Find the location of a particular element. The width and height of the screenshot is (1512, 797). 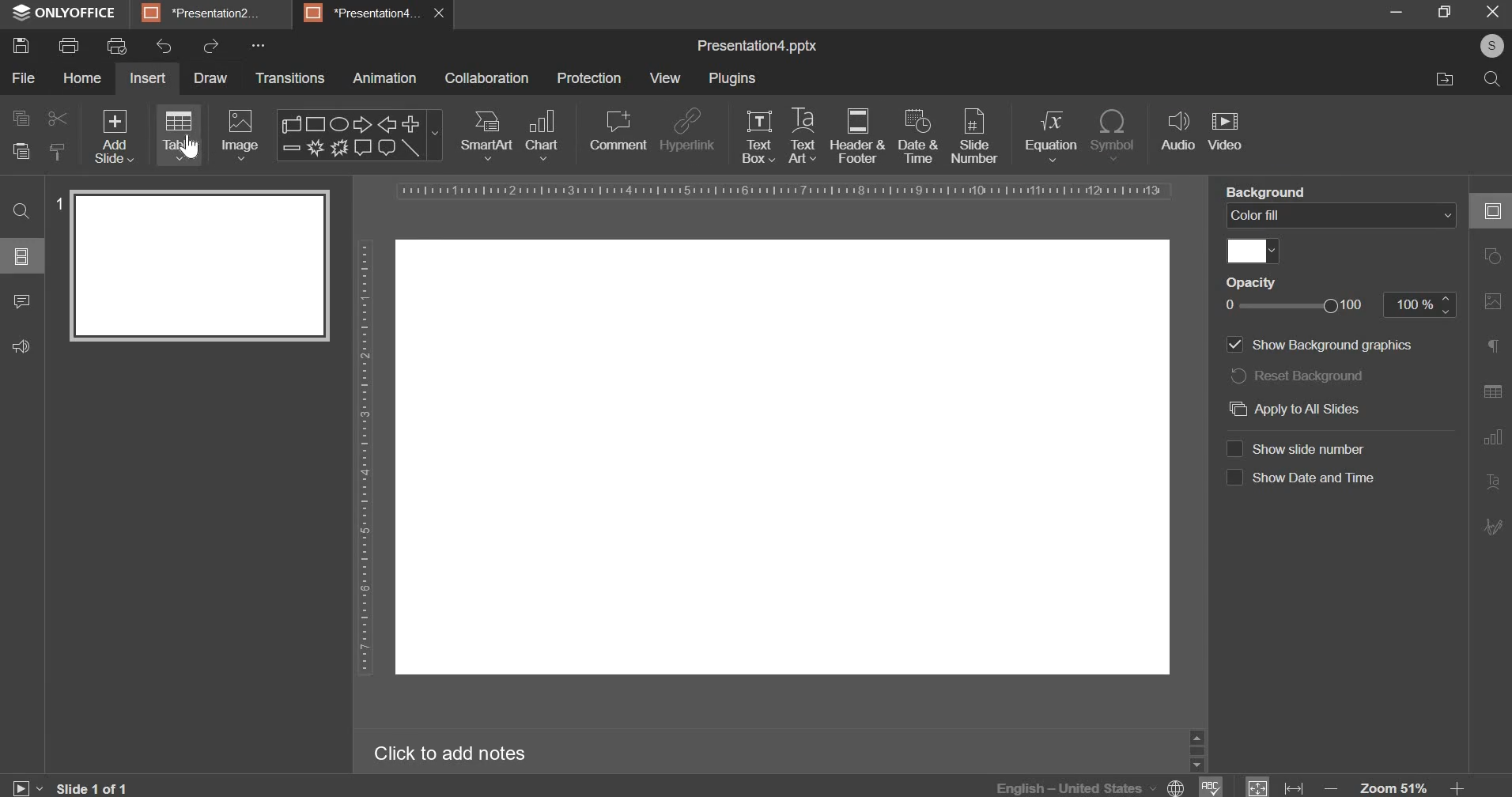

slide number is located at coordinates (979, 135).